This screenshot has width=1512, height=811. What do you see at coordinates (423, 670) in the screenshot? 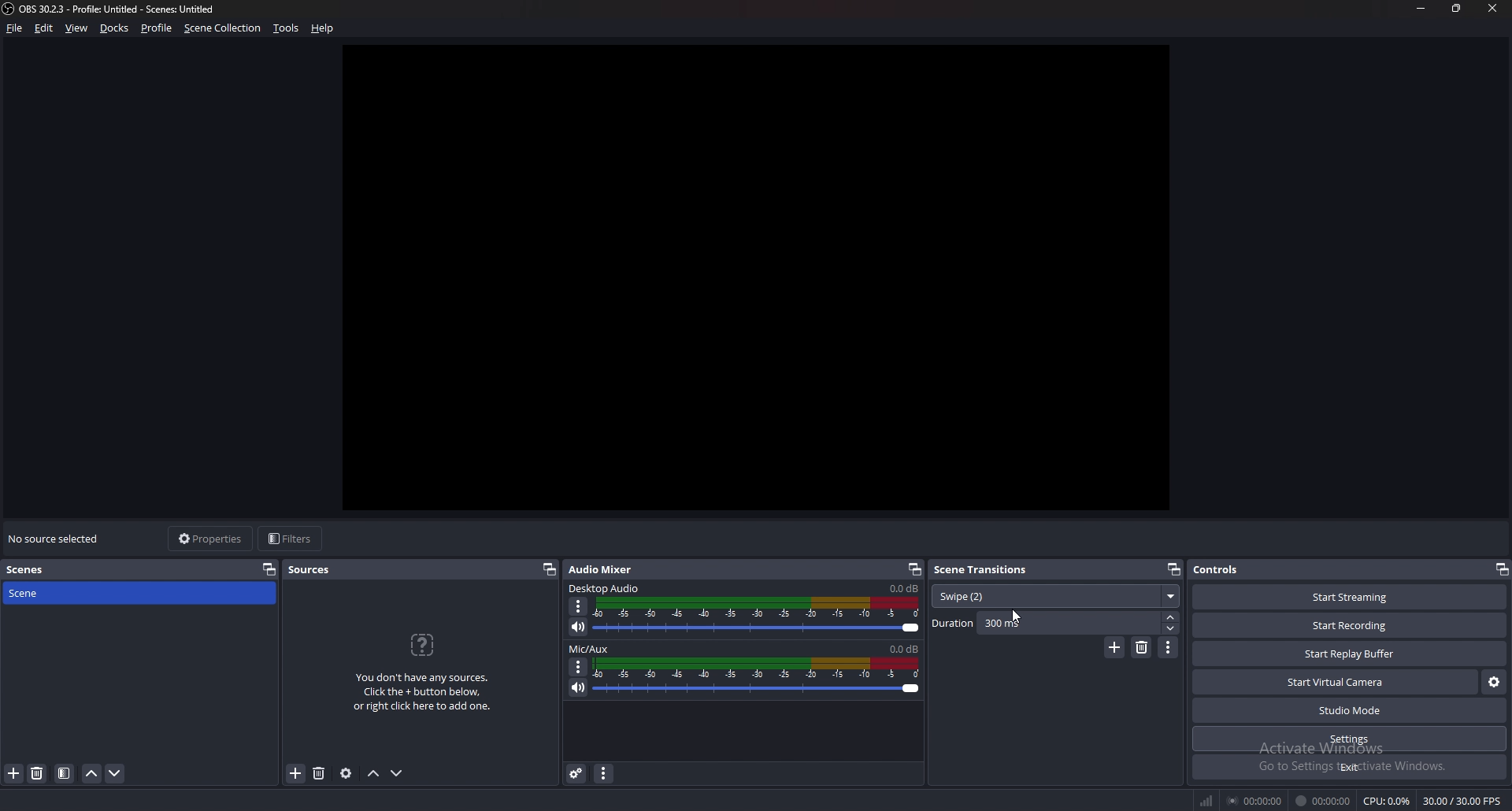
I see `info` at bounding box center [423, 670].